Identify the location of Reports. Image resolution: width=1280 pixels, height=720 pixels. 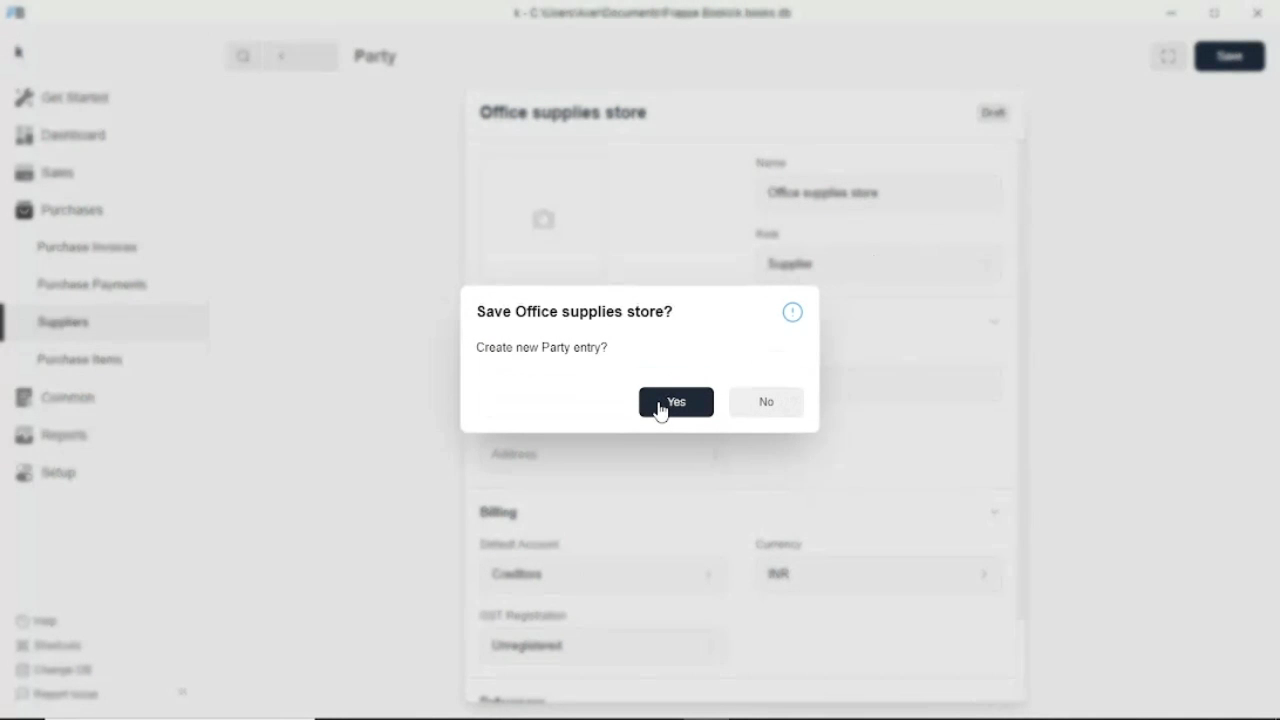
(53, 435).